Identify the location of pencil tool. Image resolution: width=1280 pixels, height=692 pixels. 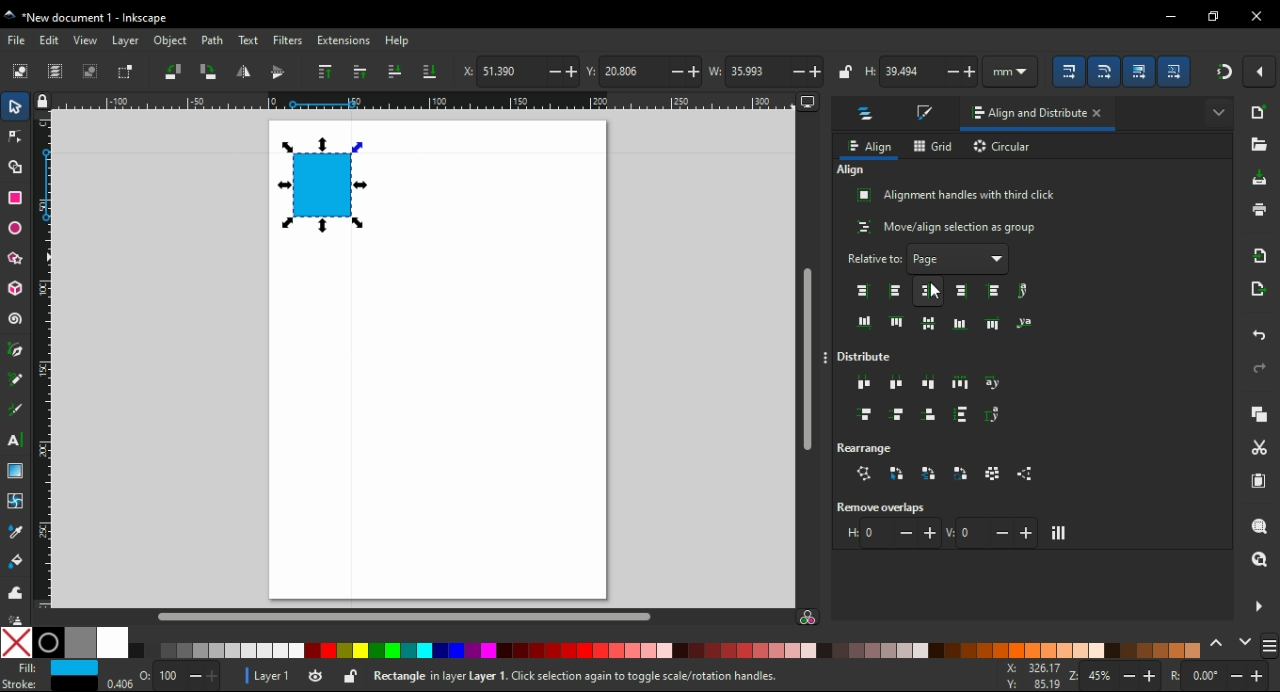
(16, 380).